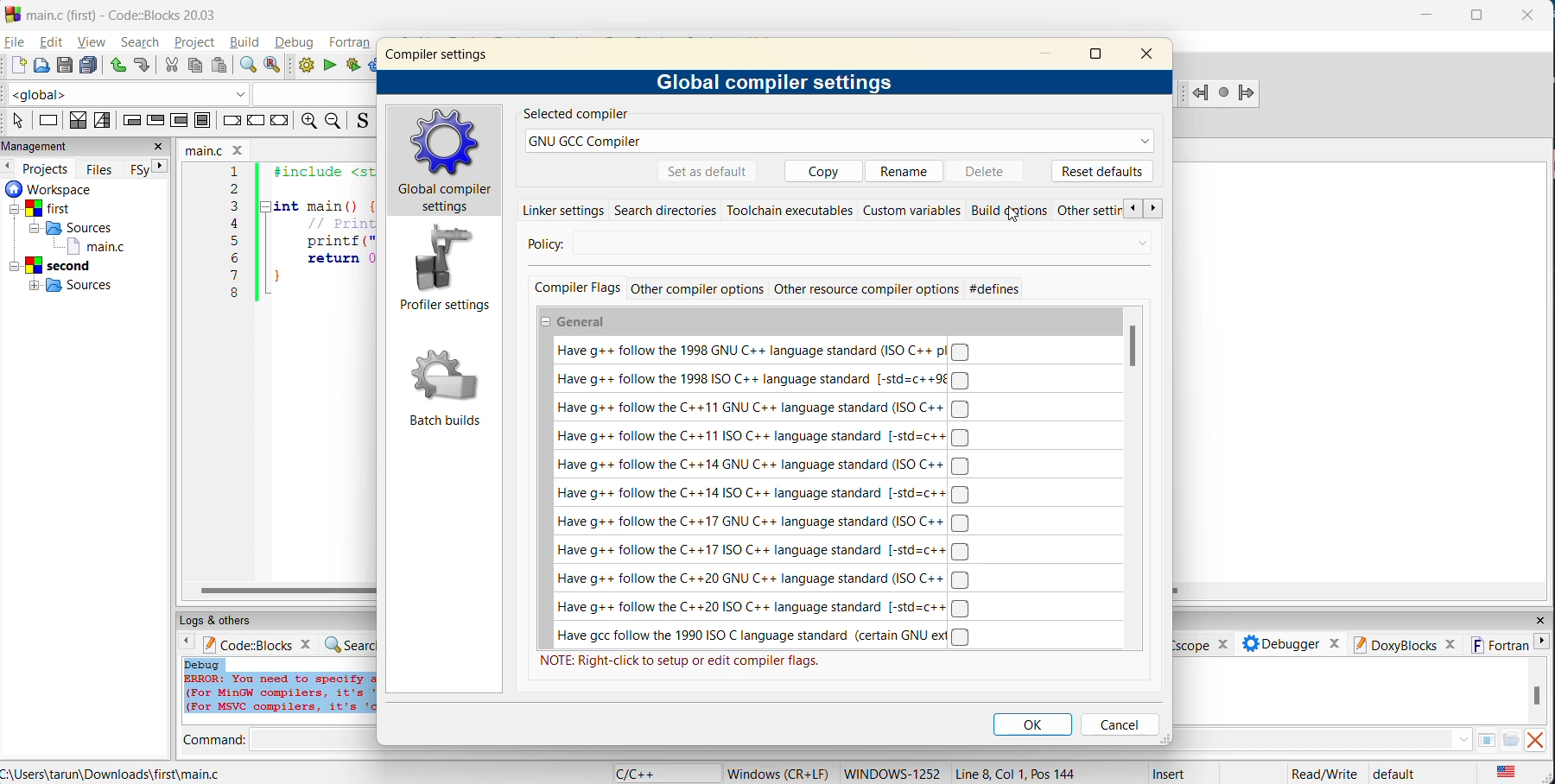 This screenshot has height=784, width=1555. What do you see at coordinates (220, 66) in the screenshot?
I see `paste` at bounding box center [220, 66].